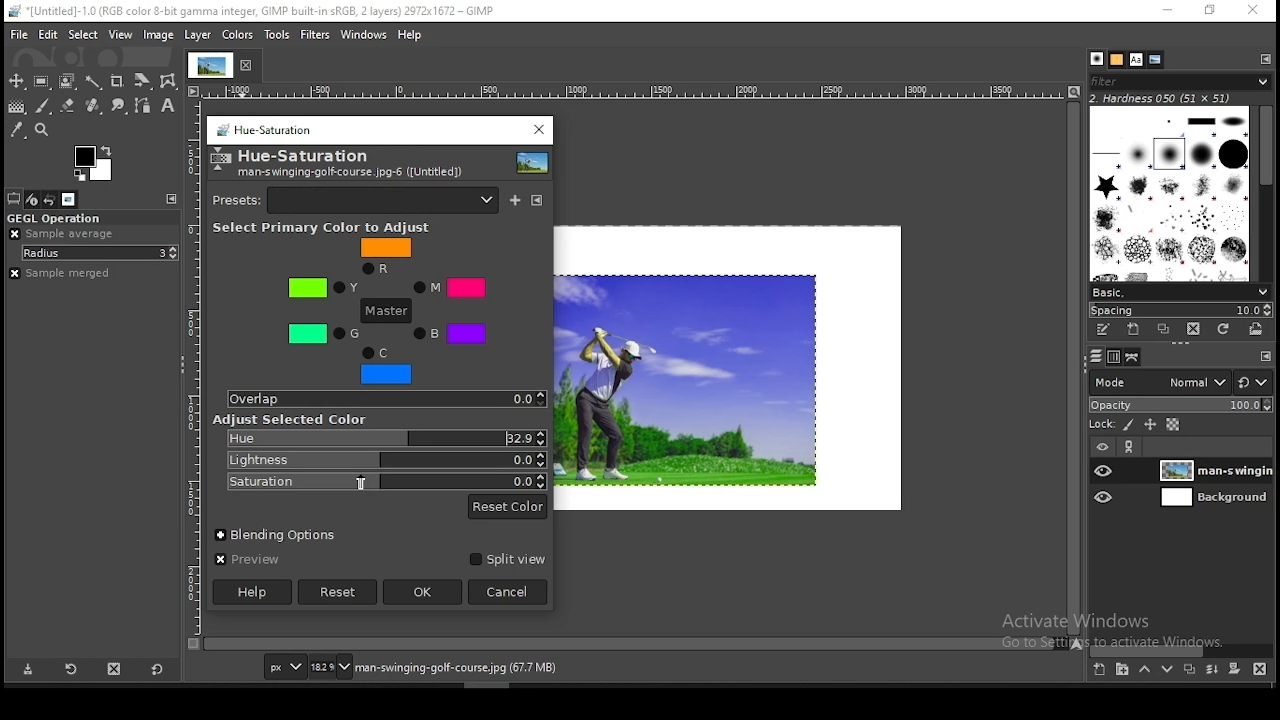 The width and height of the screenshot is (1280, 720). I want to click on gradient tool, so click(16, 105).